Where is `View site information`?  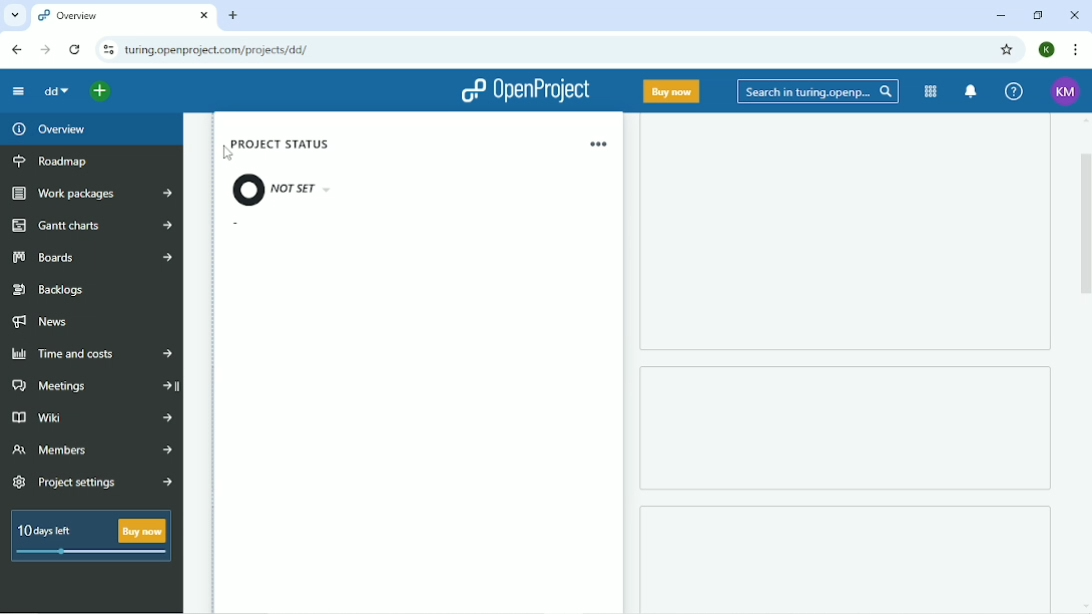 View site information is located at coordinates (107, 50).